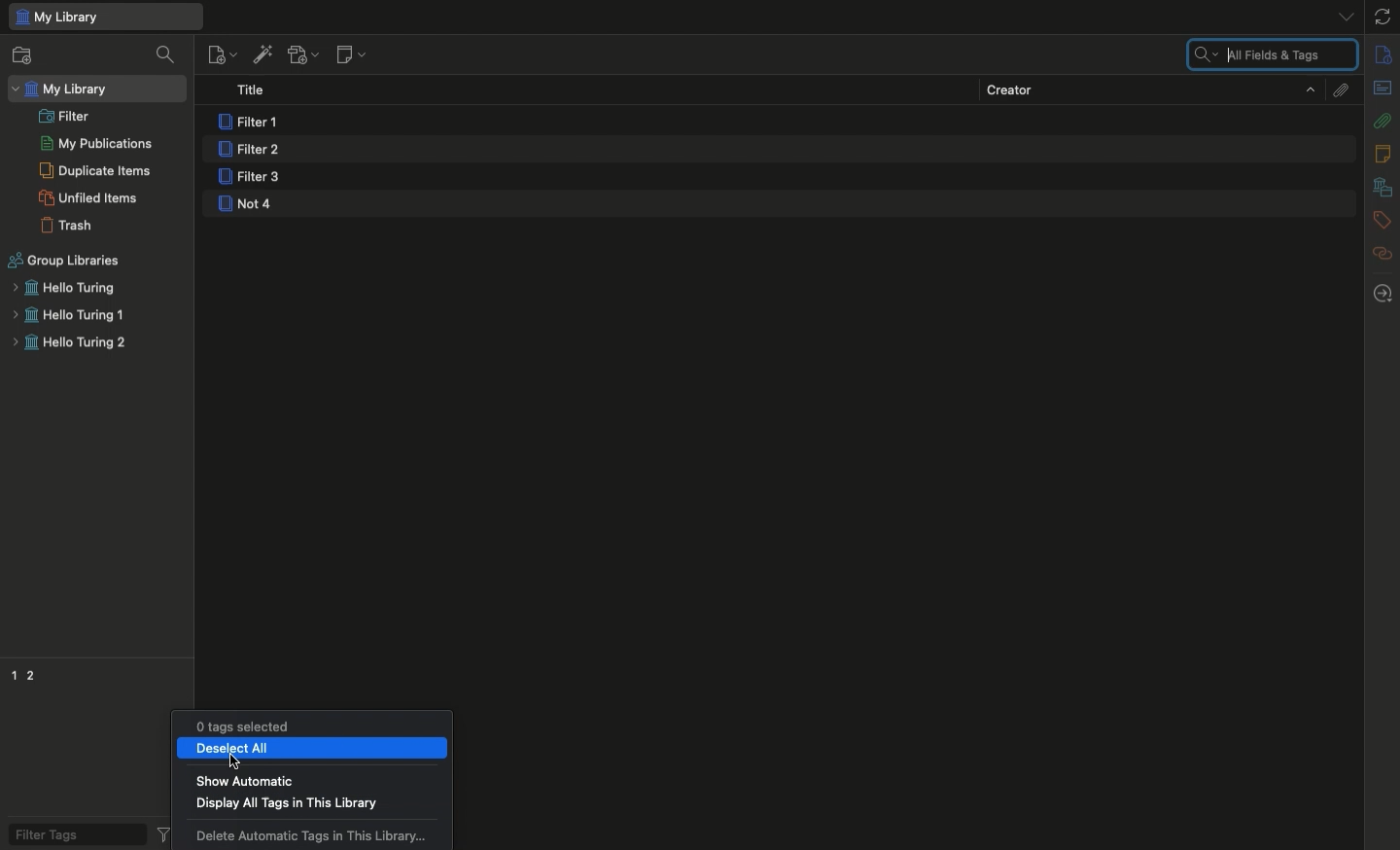 Image resolution: width=1400 pixels, height=850 pixels. I want to click on Group libraries, so click(65, 261).